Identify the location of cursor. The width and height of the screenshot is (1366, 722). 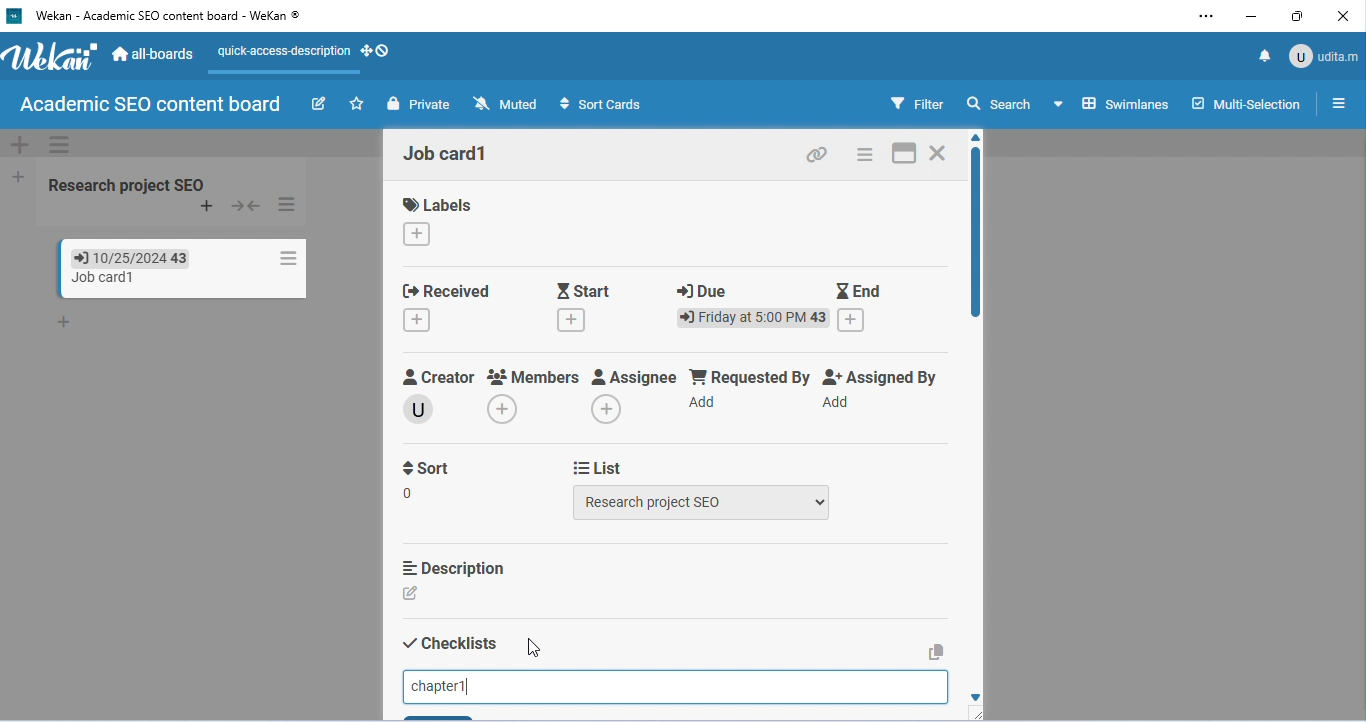
(530, 649).